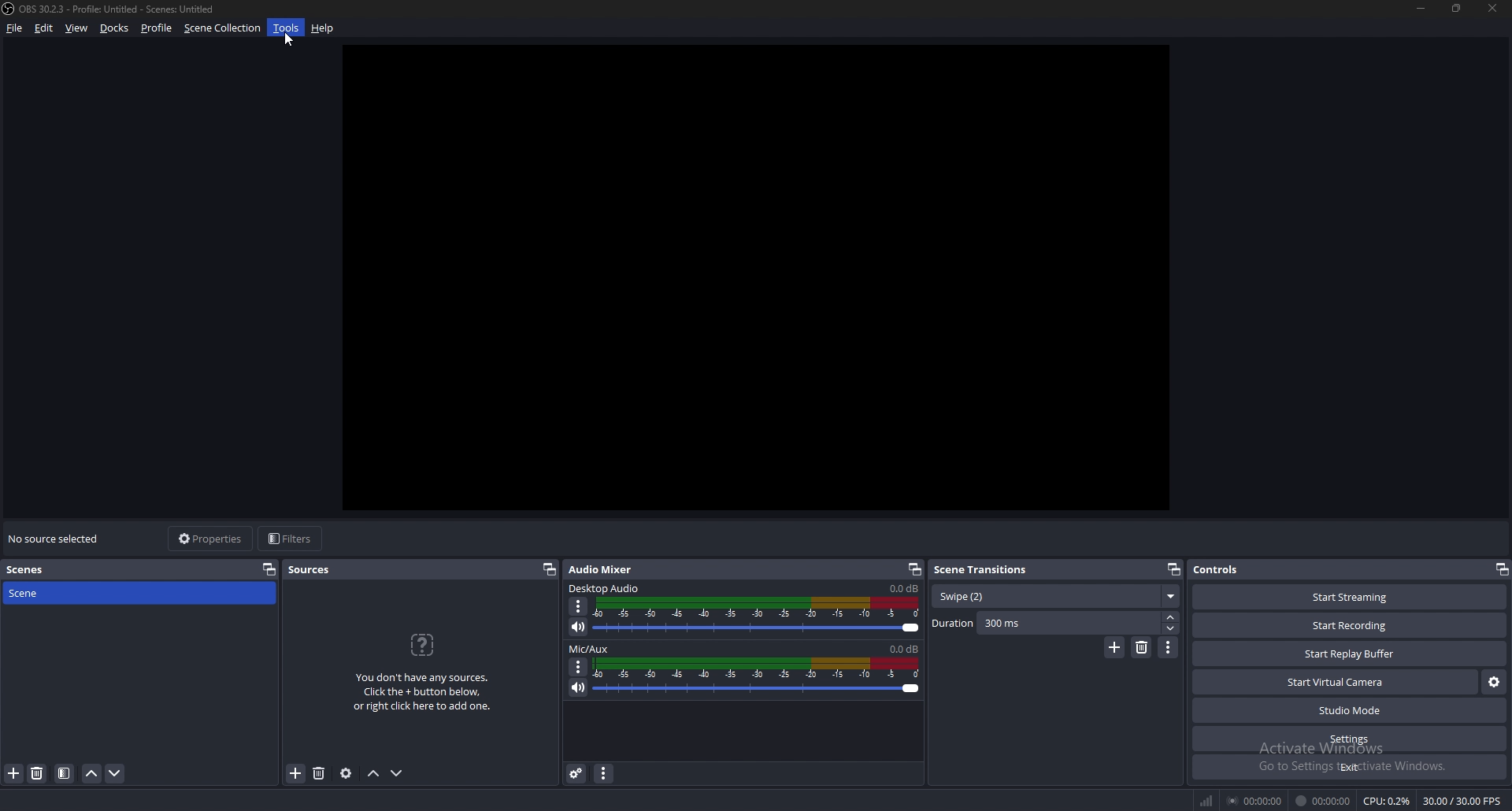 Image resolution: width=1512 pixels, height=811 pixels. Describe the element at coordinates (904, 649) in the screenshot. I see `volume level` at that location.